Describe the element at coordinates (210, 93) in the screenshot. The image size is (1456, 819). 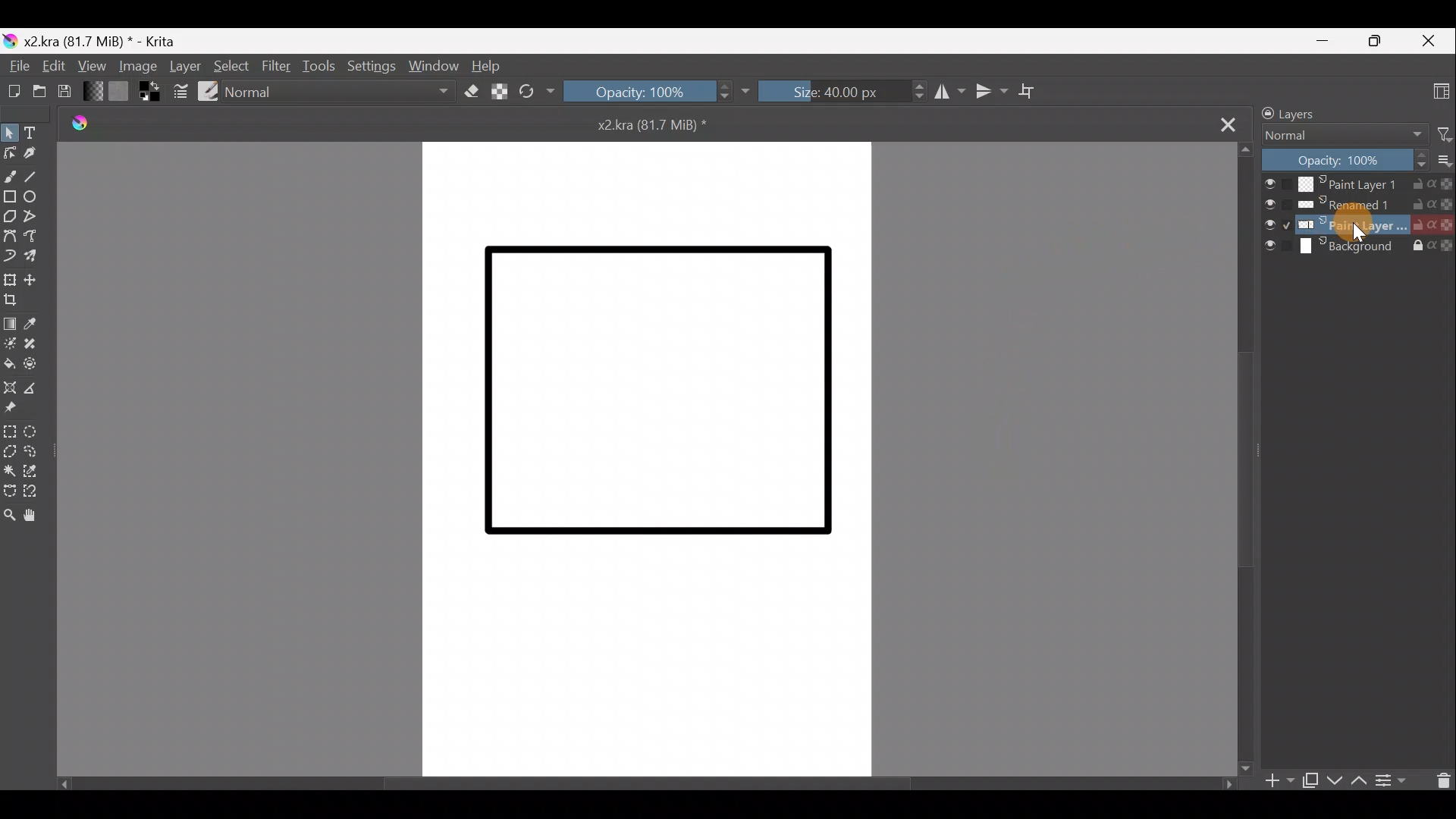
I see `Choose brush preset` at that location.